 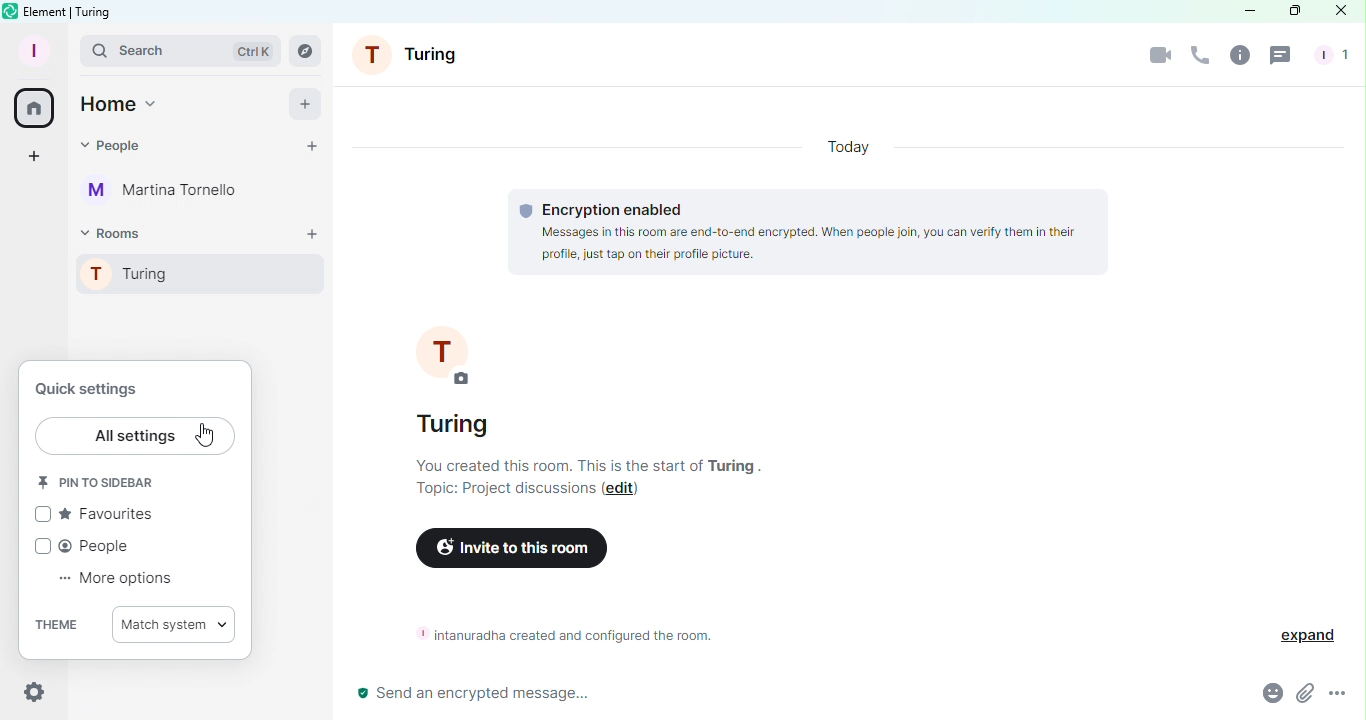 What do you see at coordinates (208, 437) in the screenshot?
I see `Cursor` at bounding box center [208, 437].